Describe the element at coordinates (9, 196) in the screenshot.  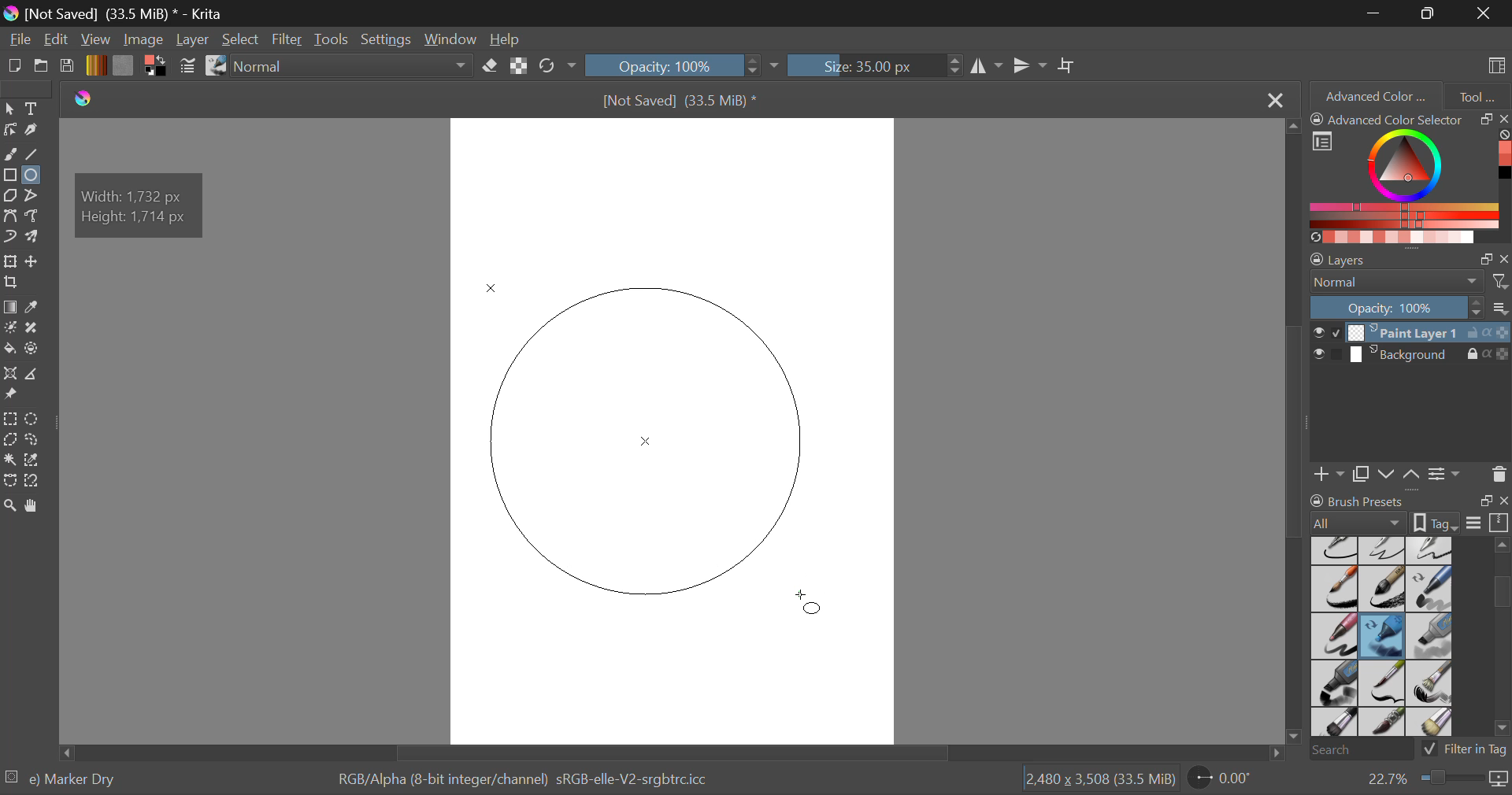
I see `Polygon Tool` at that location.